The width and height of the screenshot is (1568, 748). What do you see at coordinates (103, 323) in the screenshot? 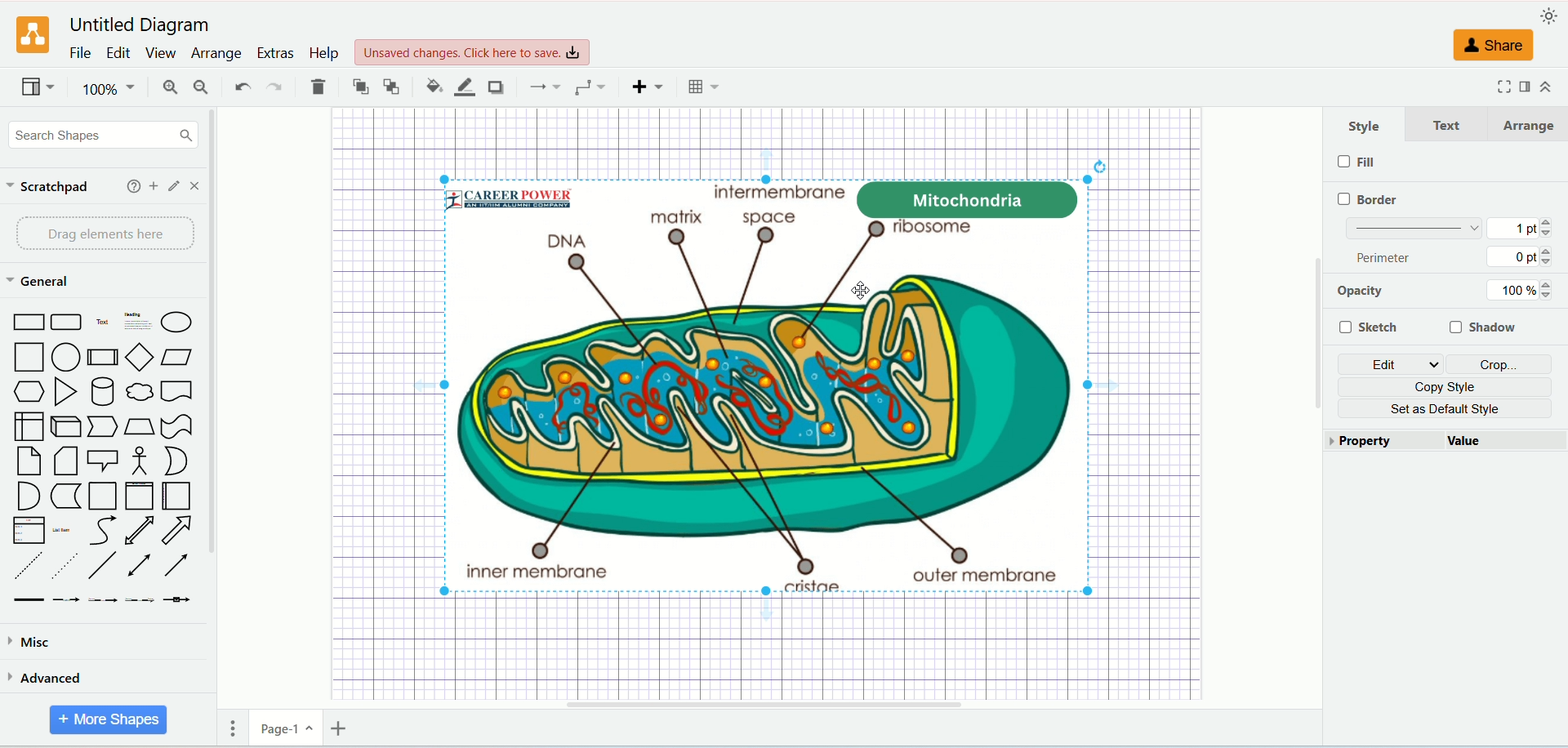
I see `Text` at bounding box center [103, 323].